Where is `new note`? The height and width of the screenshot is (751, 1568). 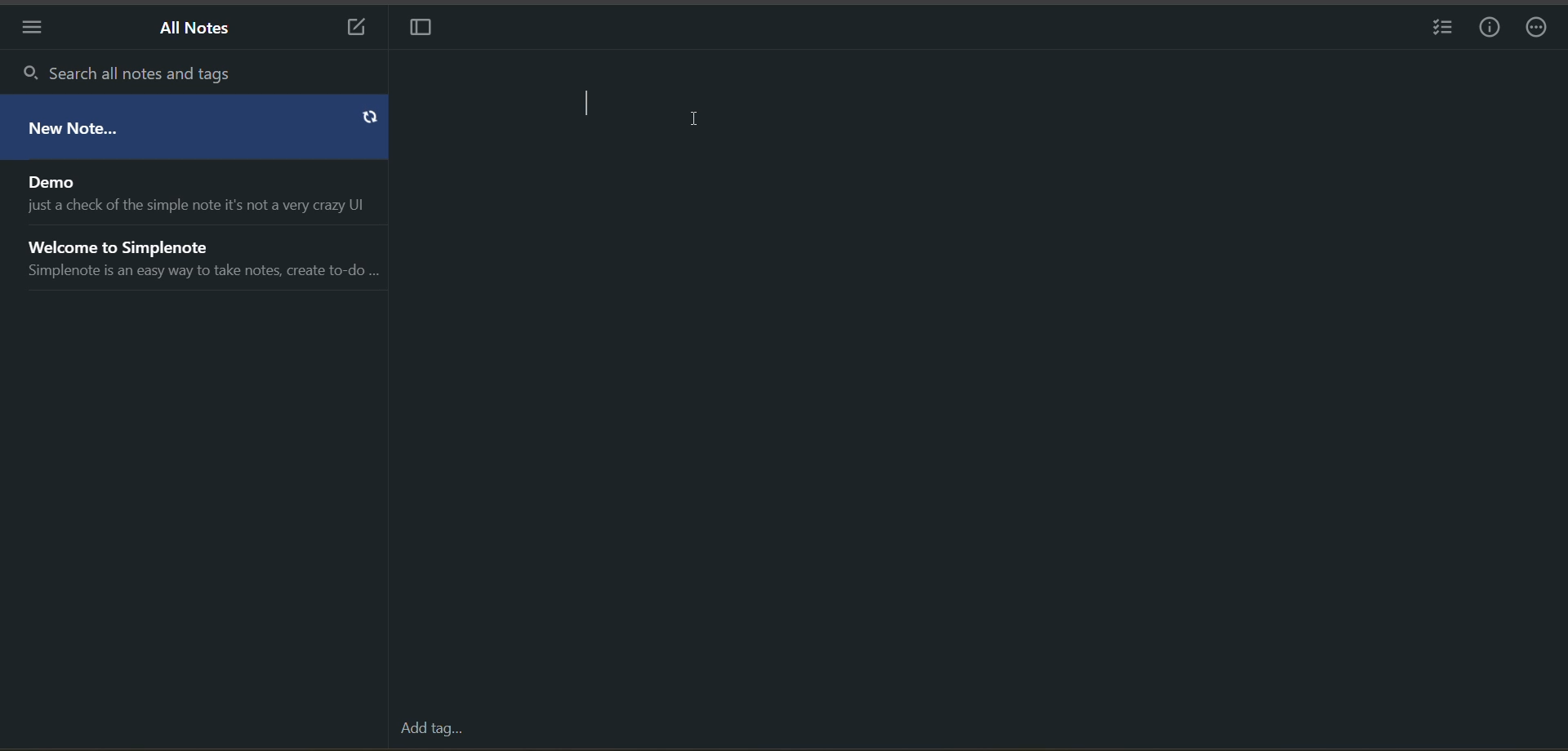
new note is located at coordinates (348, 29).